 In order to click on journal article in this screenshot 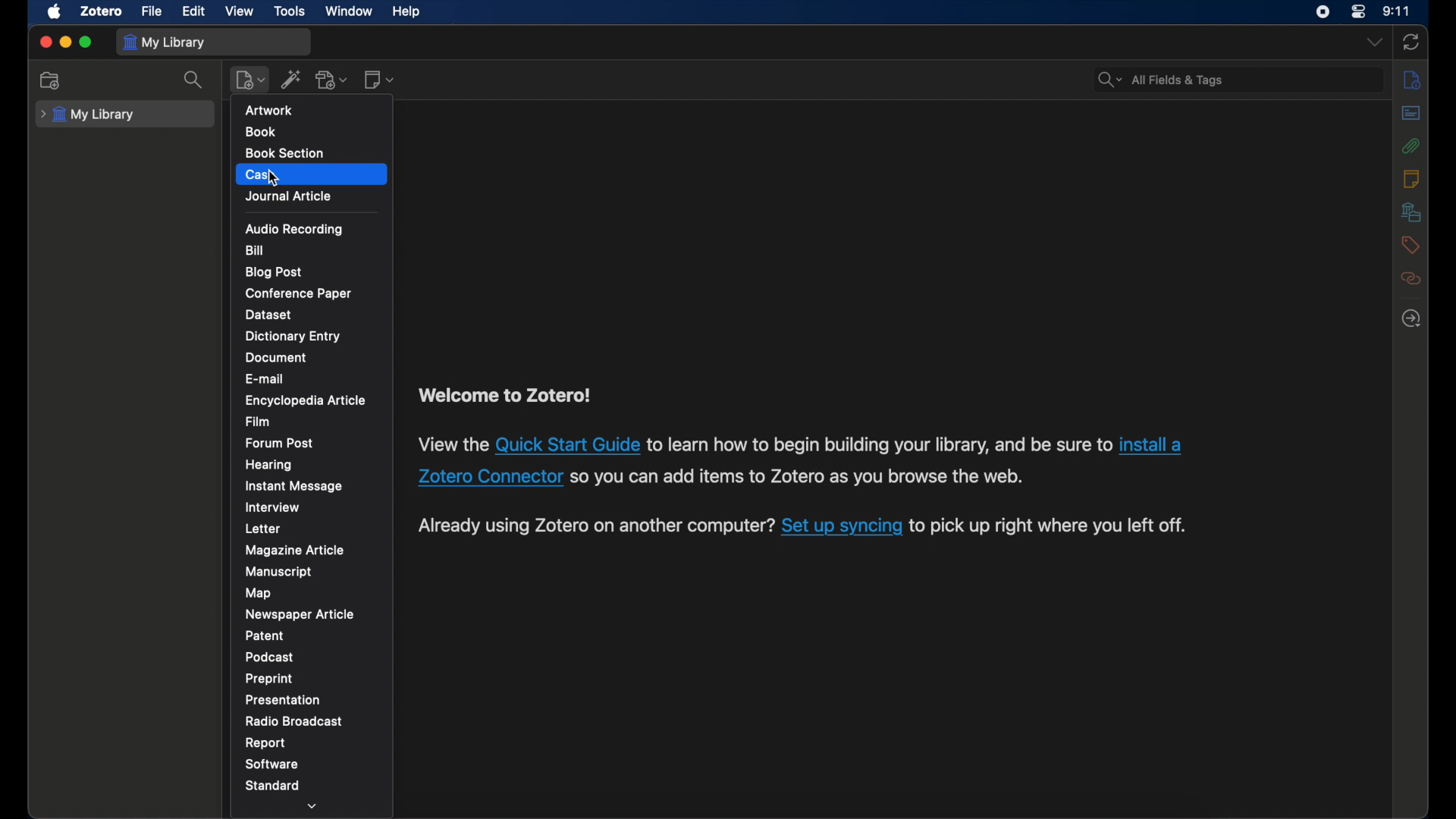, I will do `click(288, 196)`.